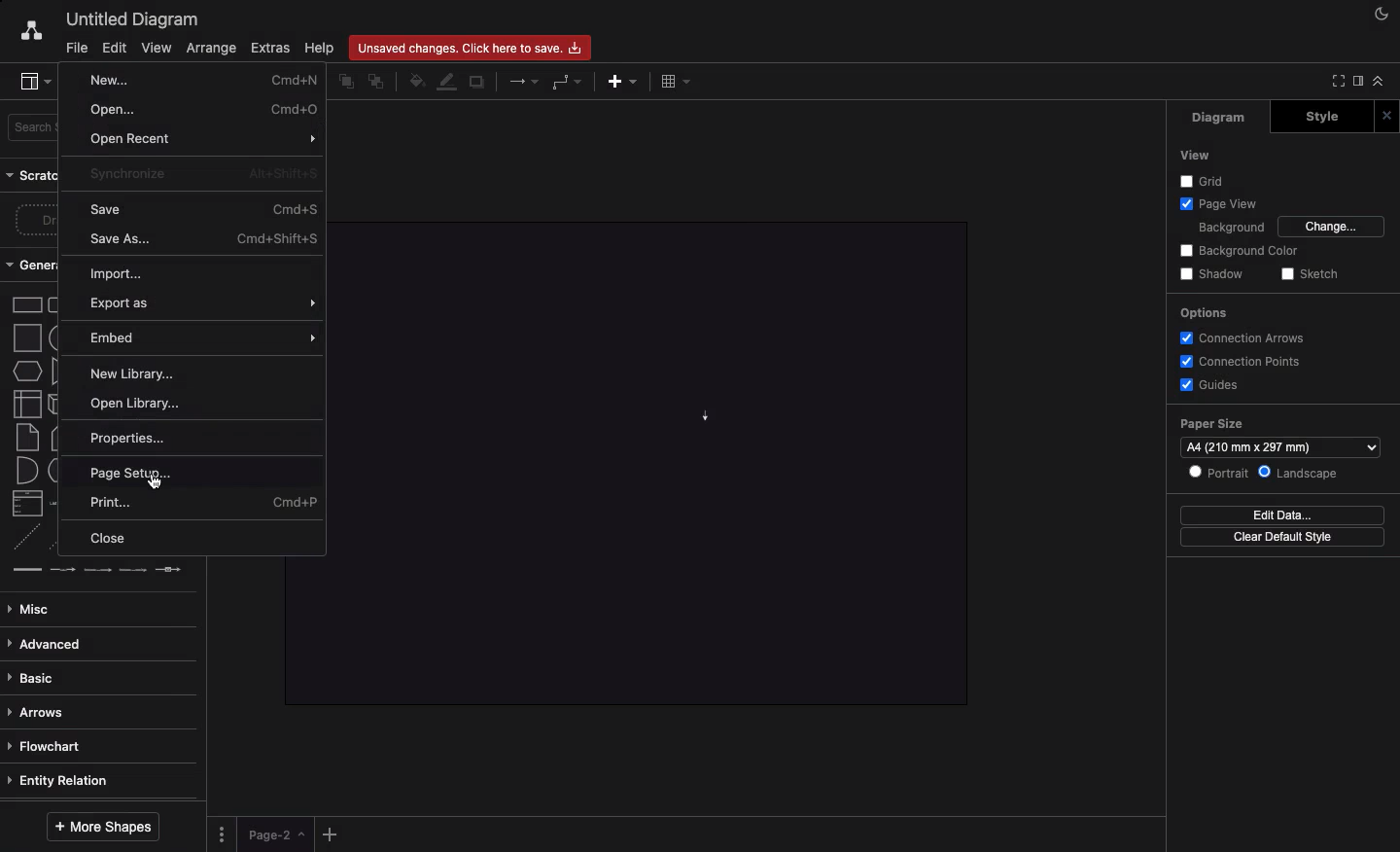 This screenshot has height=852, width=1400. What do you see at coordinates (345, 83) in the screenshot?
I see `To front` at bounding box center [345, 83].